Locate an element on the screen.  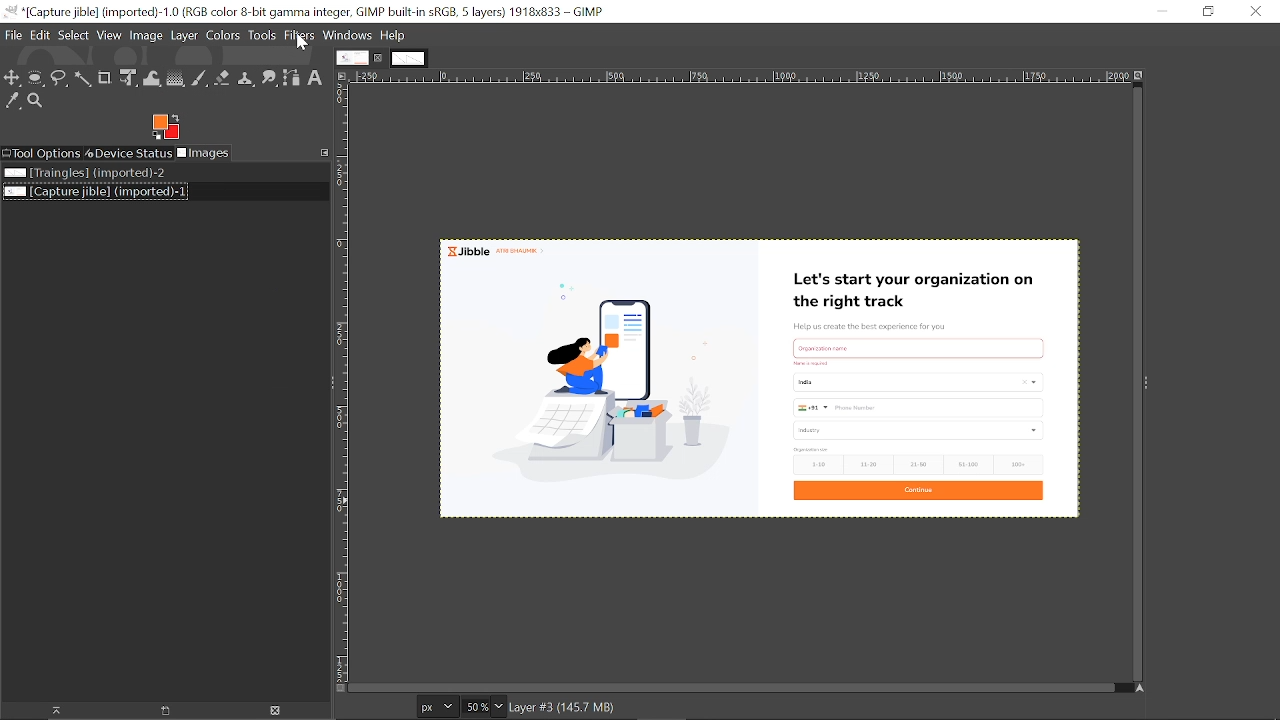
Cursor is located at coordinates (302, 42).